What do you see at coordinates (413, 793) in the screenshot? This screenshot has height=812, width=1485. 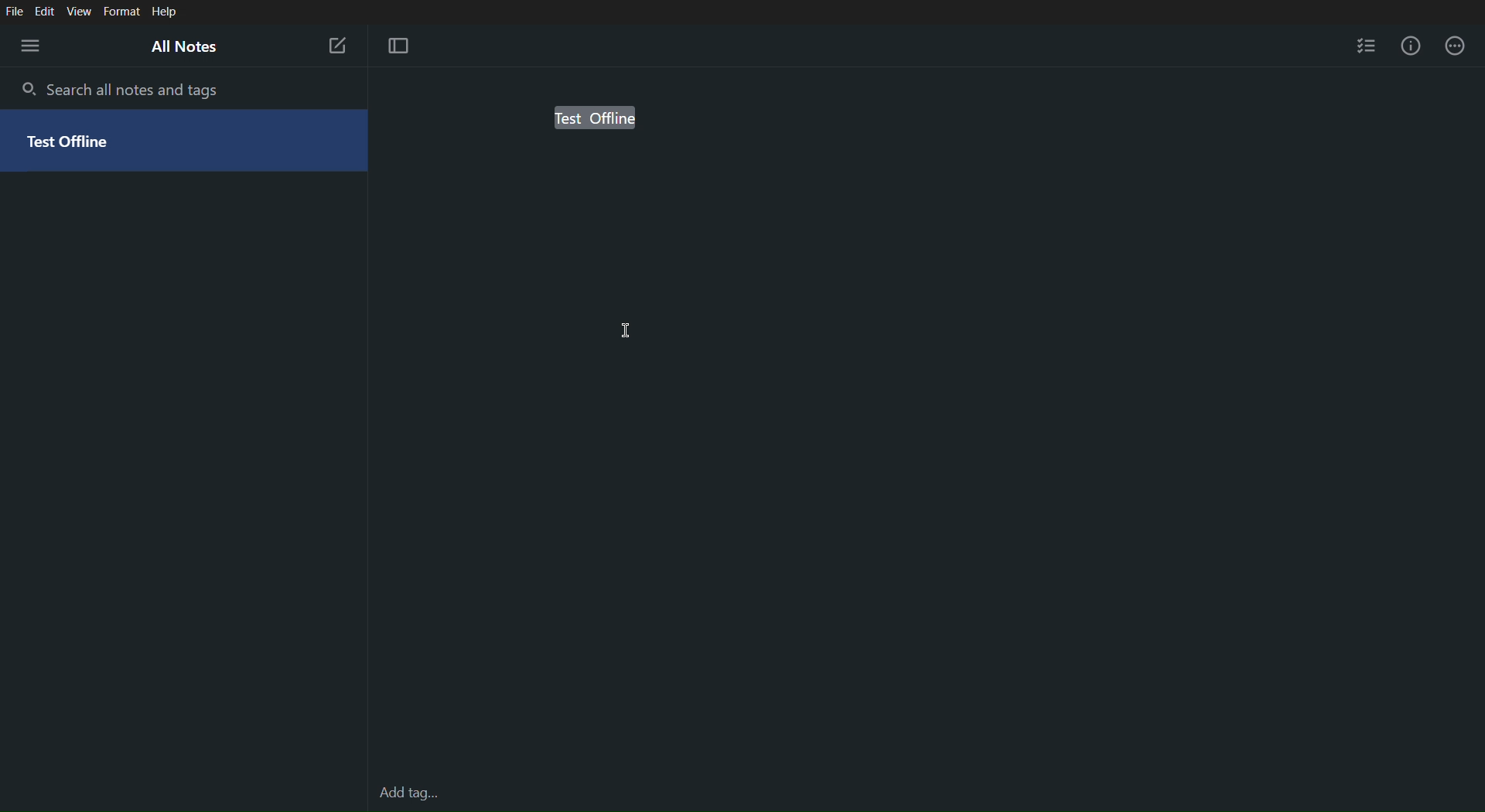 I see `Add tag` at bounding box center [413, 793].